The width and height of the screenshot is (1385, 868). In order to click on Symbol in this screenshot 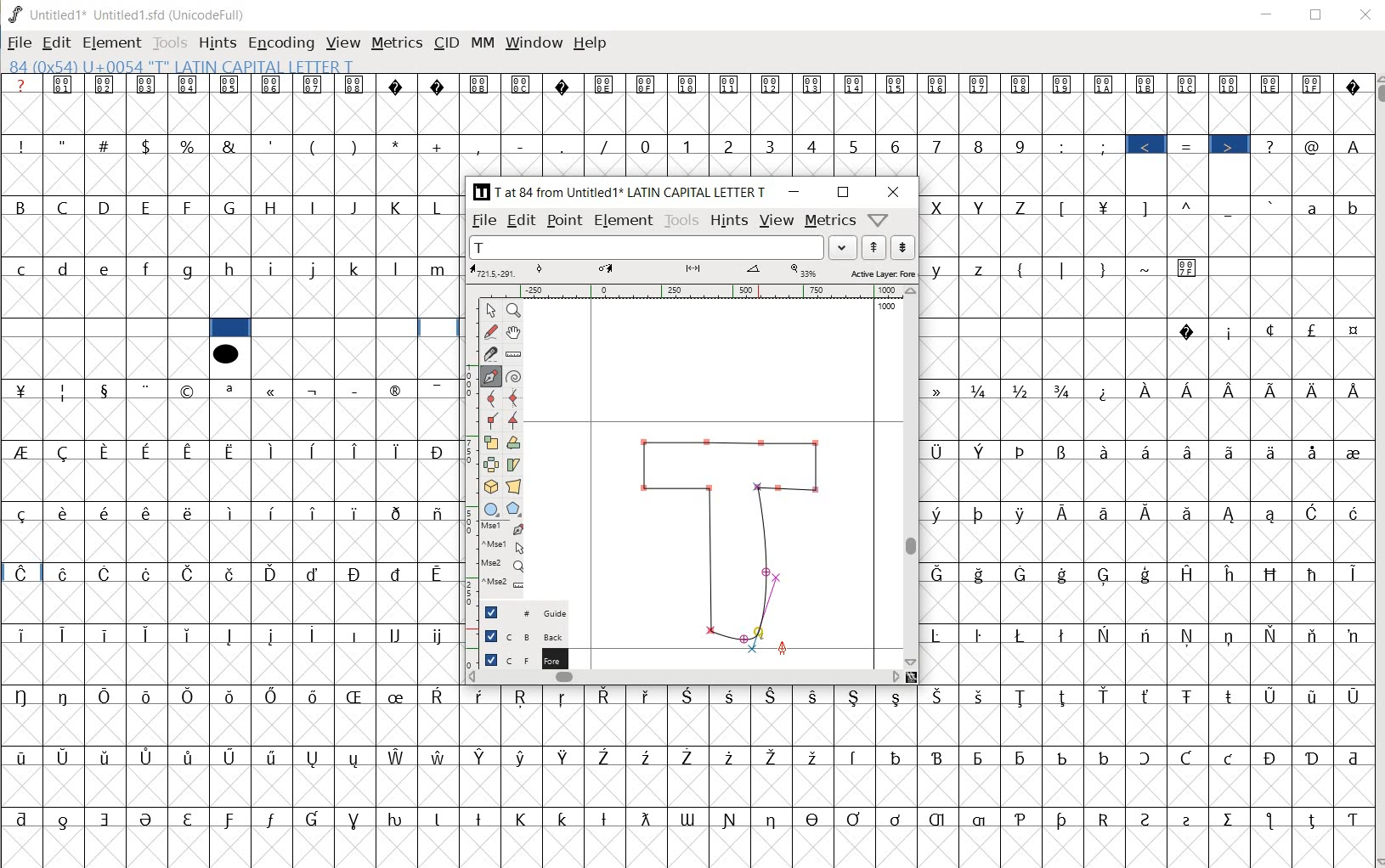, I will do `click(649, 695)`.